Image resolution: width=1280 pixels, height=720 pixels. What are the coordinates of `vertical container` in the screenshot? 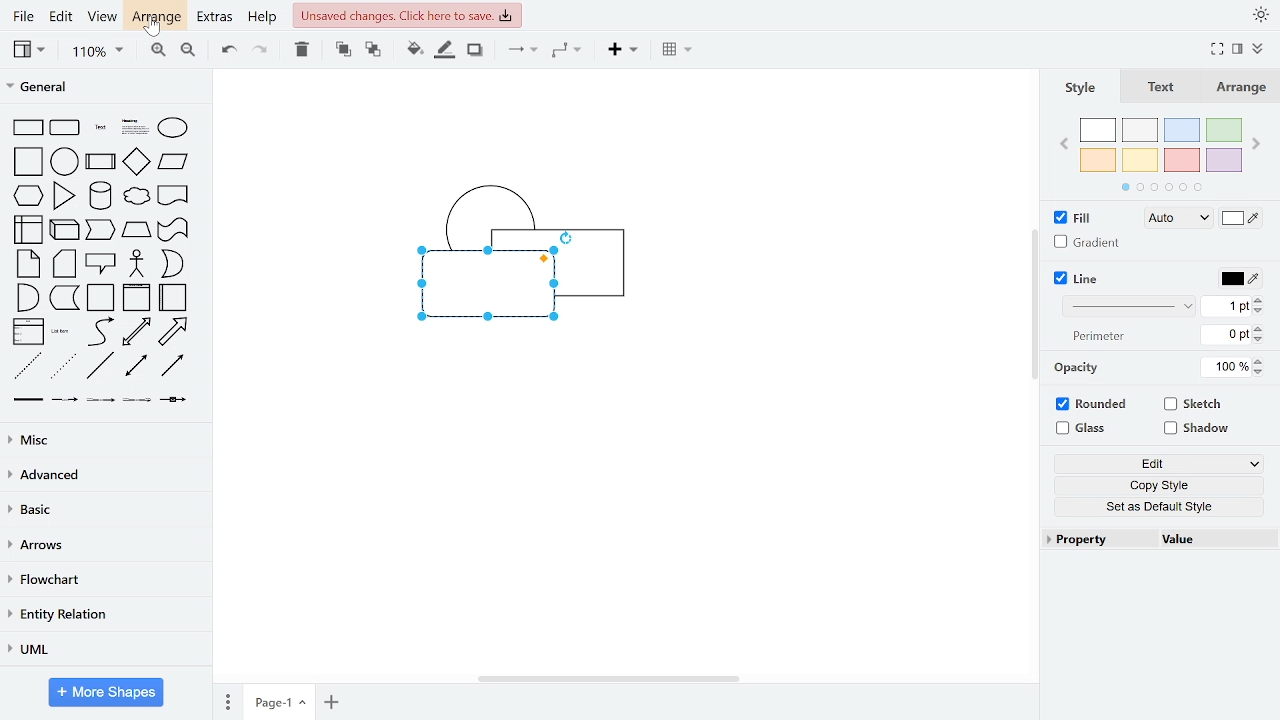 It's located at (138, 297).